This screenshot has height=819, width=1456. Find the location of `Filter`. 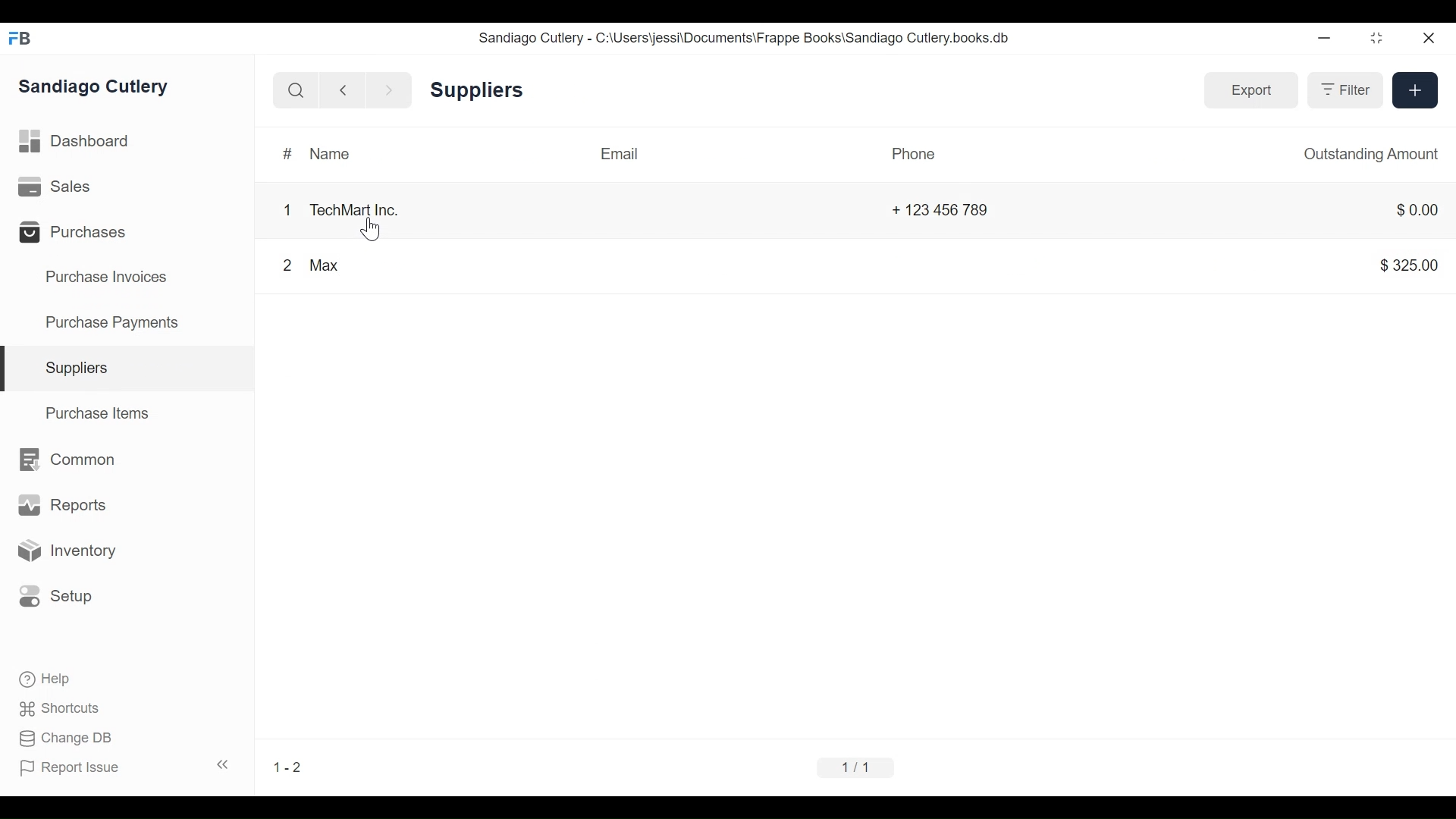

Filter is located at coordinates (1345, 90).